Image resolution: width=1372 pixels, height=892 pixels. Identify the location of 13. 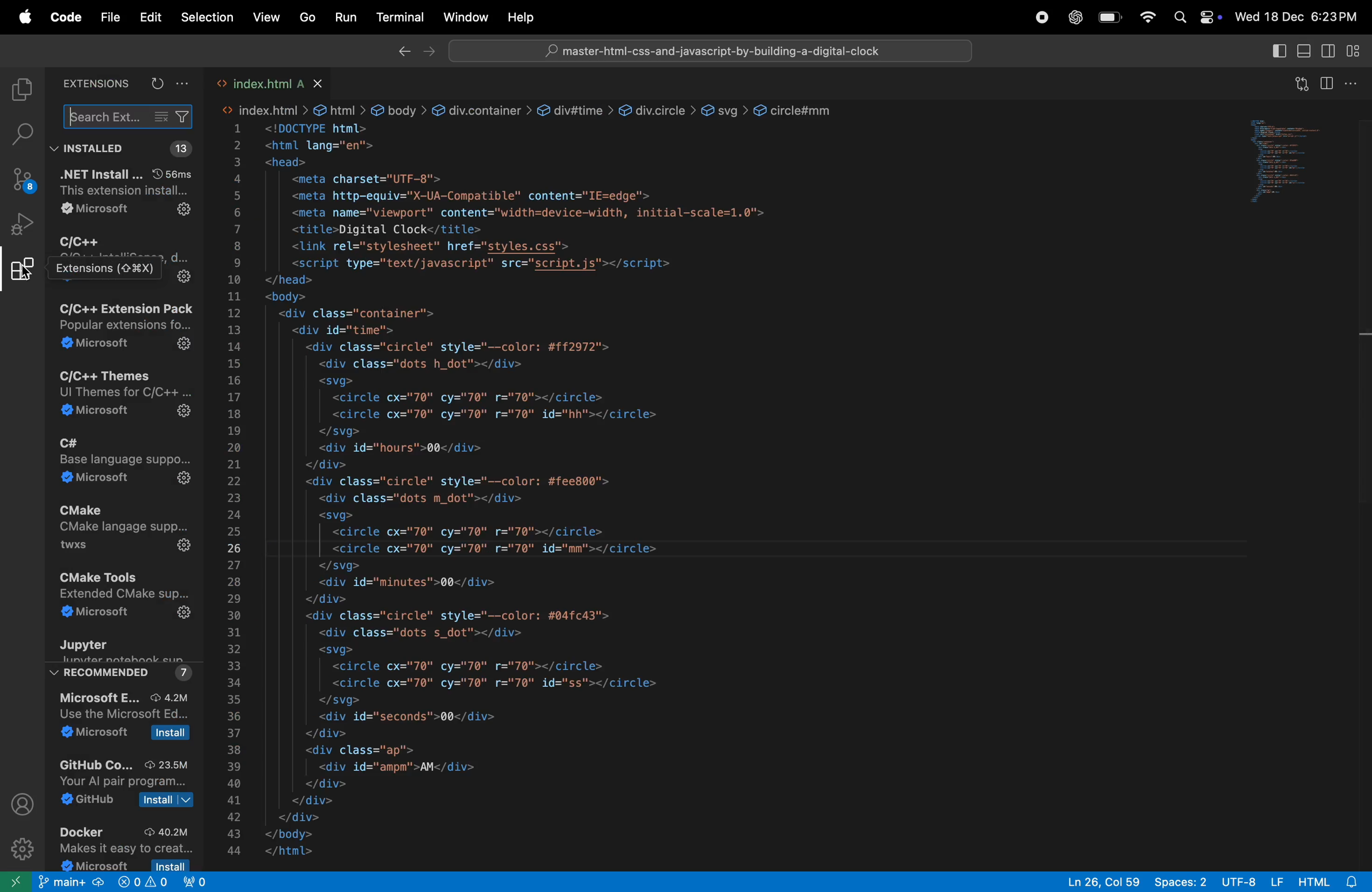
(188, 147).